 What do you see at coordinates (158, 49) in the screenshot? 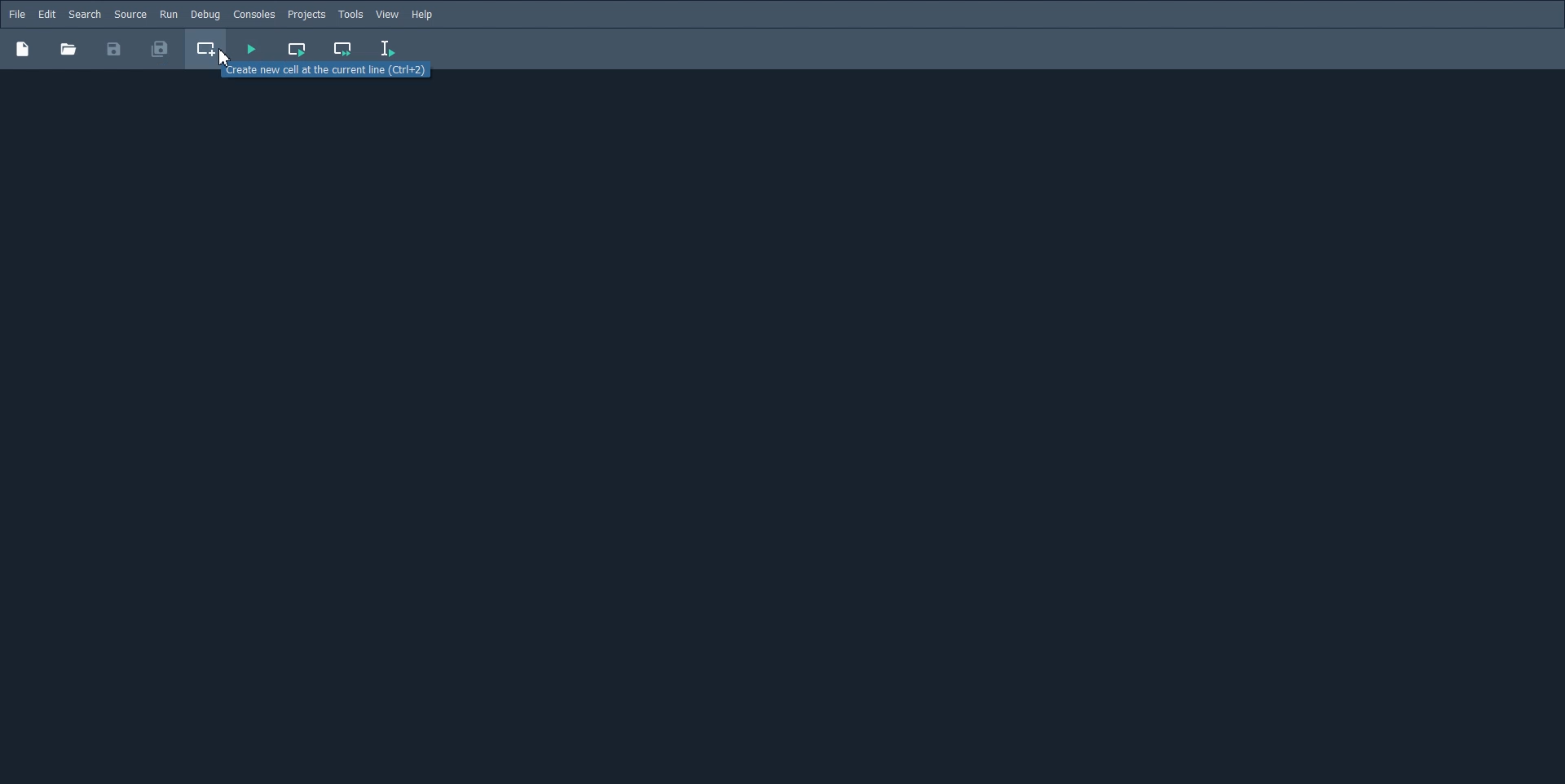
I see `Save All File` at bounding box center [158, 49].